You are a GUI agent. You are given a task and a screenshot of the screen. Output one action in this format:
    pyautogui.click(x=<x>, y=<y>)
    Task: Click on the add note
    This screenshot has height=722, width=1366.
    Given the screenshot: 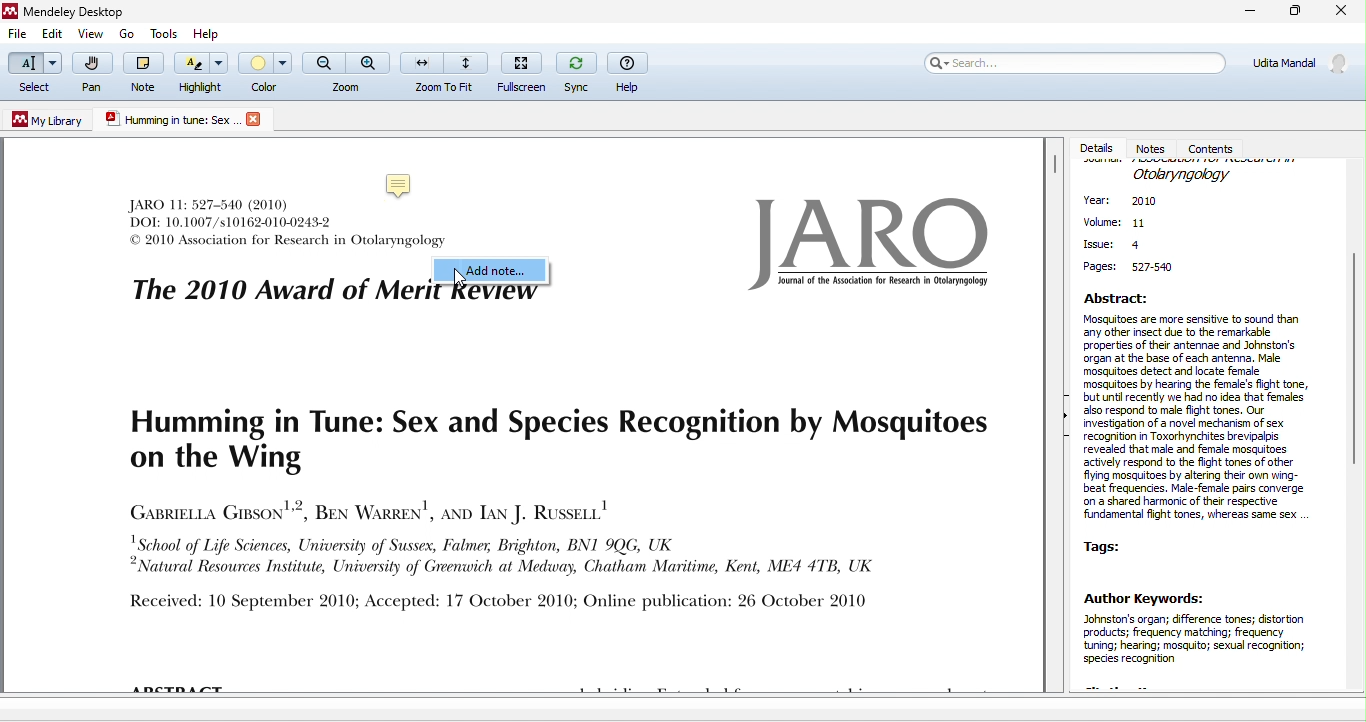 What is the action you would take?
    pyautogui.click(x=492, y=272)
    